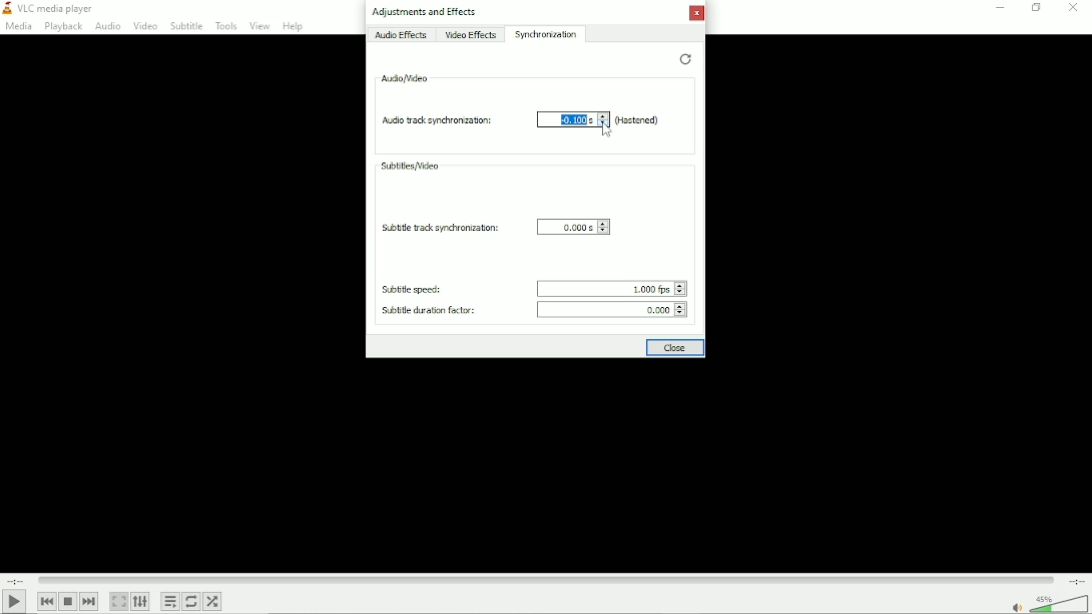 The image size is (1092, 614). Describe the element at coordinates (405, 79) in the screenshot. I see `Audio/video` at that location.